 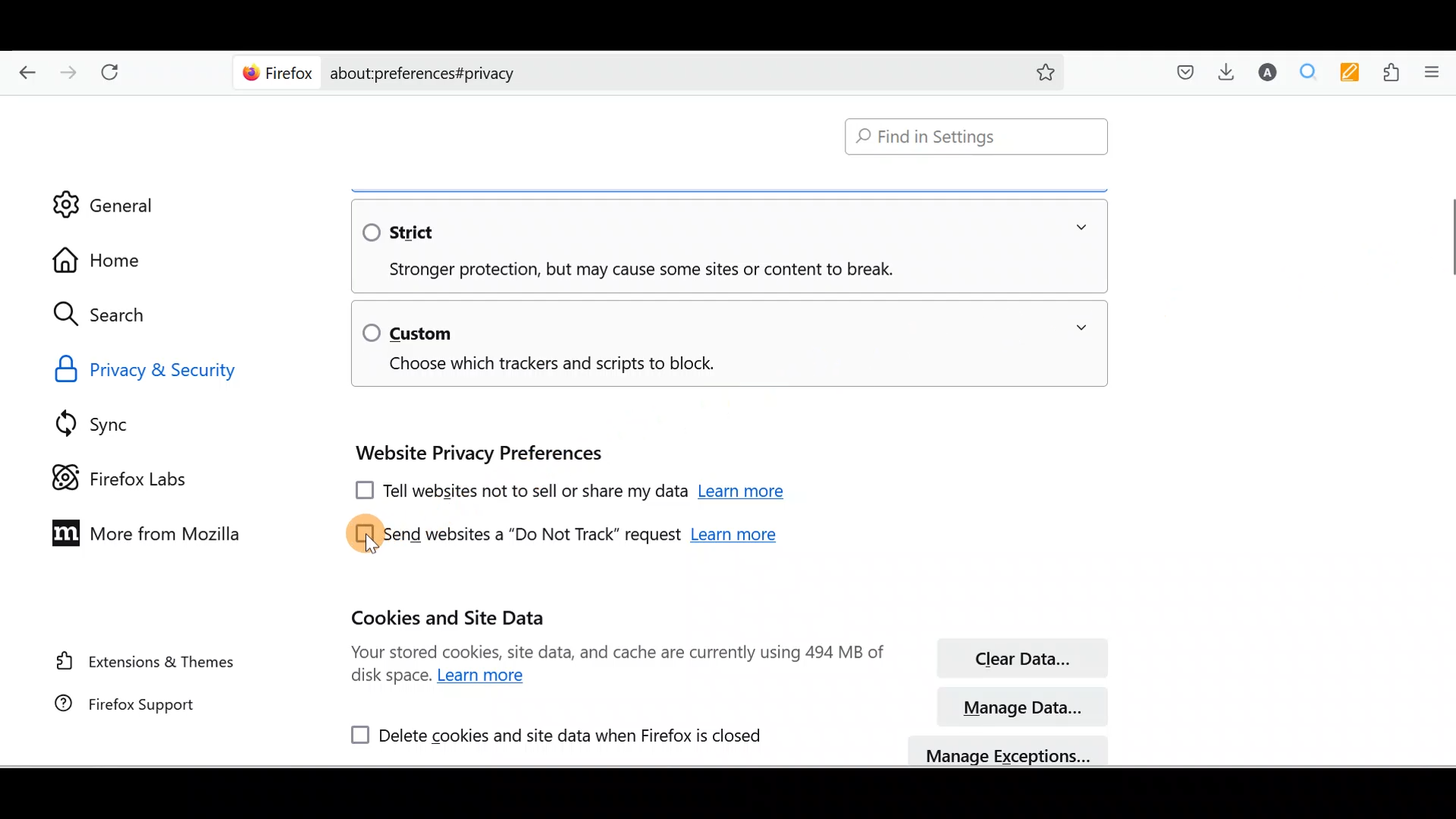 What do you see at coordinates (24, 68) in the screenshot?
I see `Go back one page` at bounding box center [24, 68].